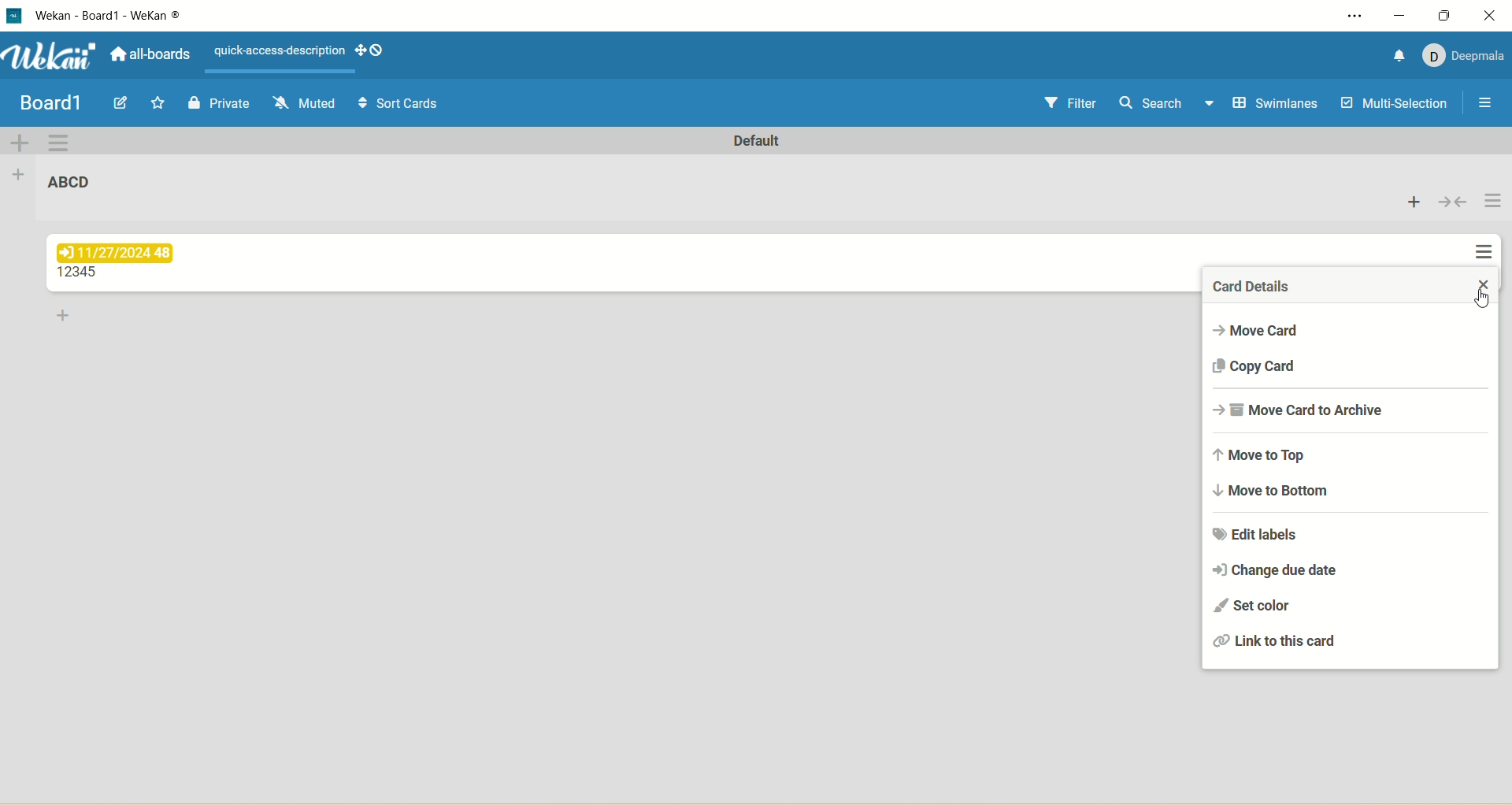  What do you see at coordinates (1466, 58) in the screenshot?
I see `account` at bounding box center [1466, 58].